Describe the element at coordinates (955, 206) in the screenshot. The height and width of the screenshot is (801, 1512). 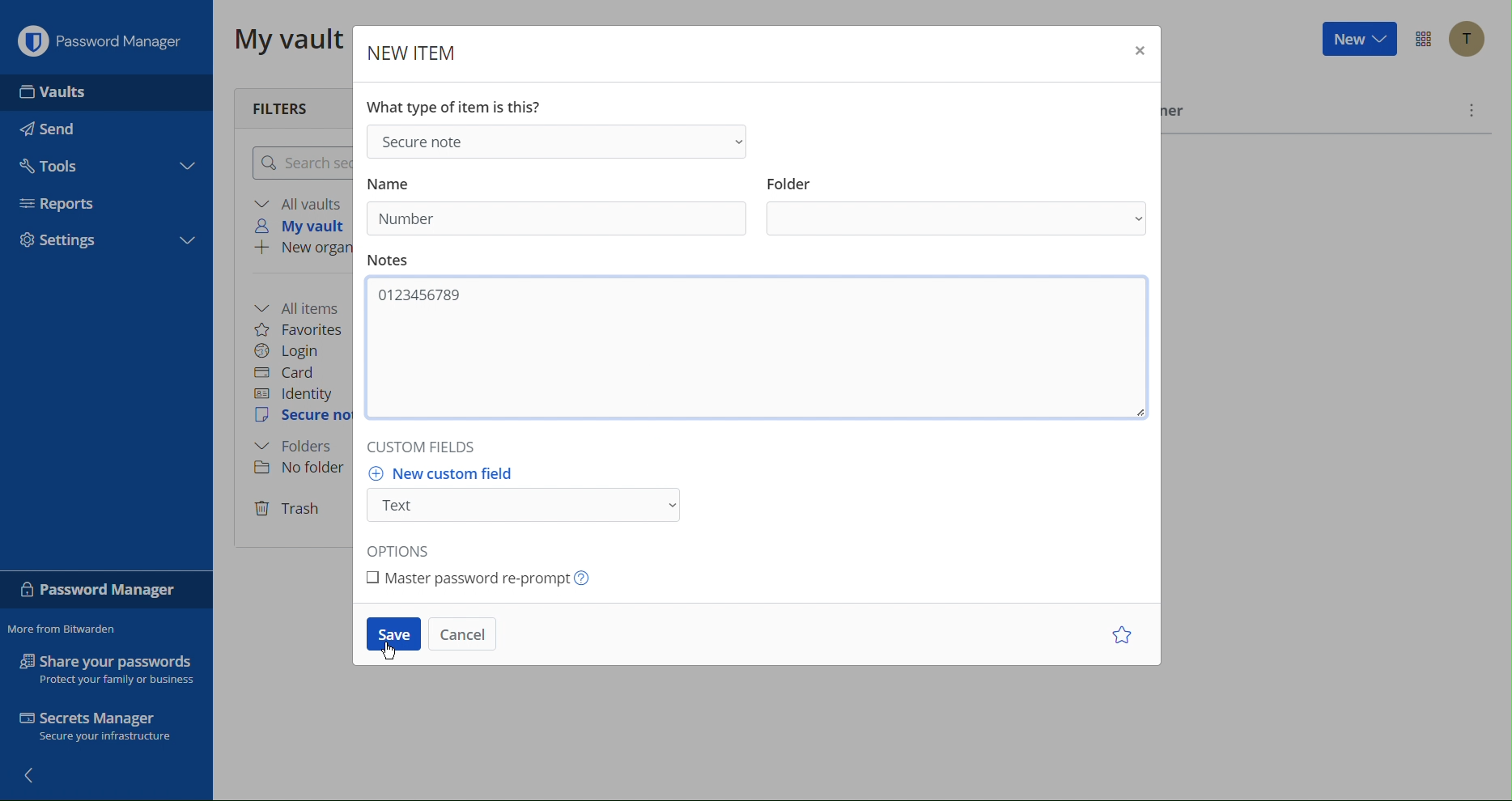
I see `Folder` at that location.